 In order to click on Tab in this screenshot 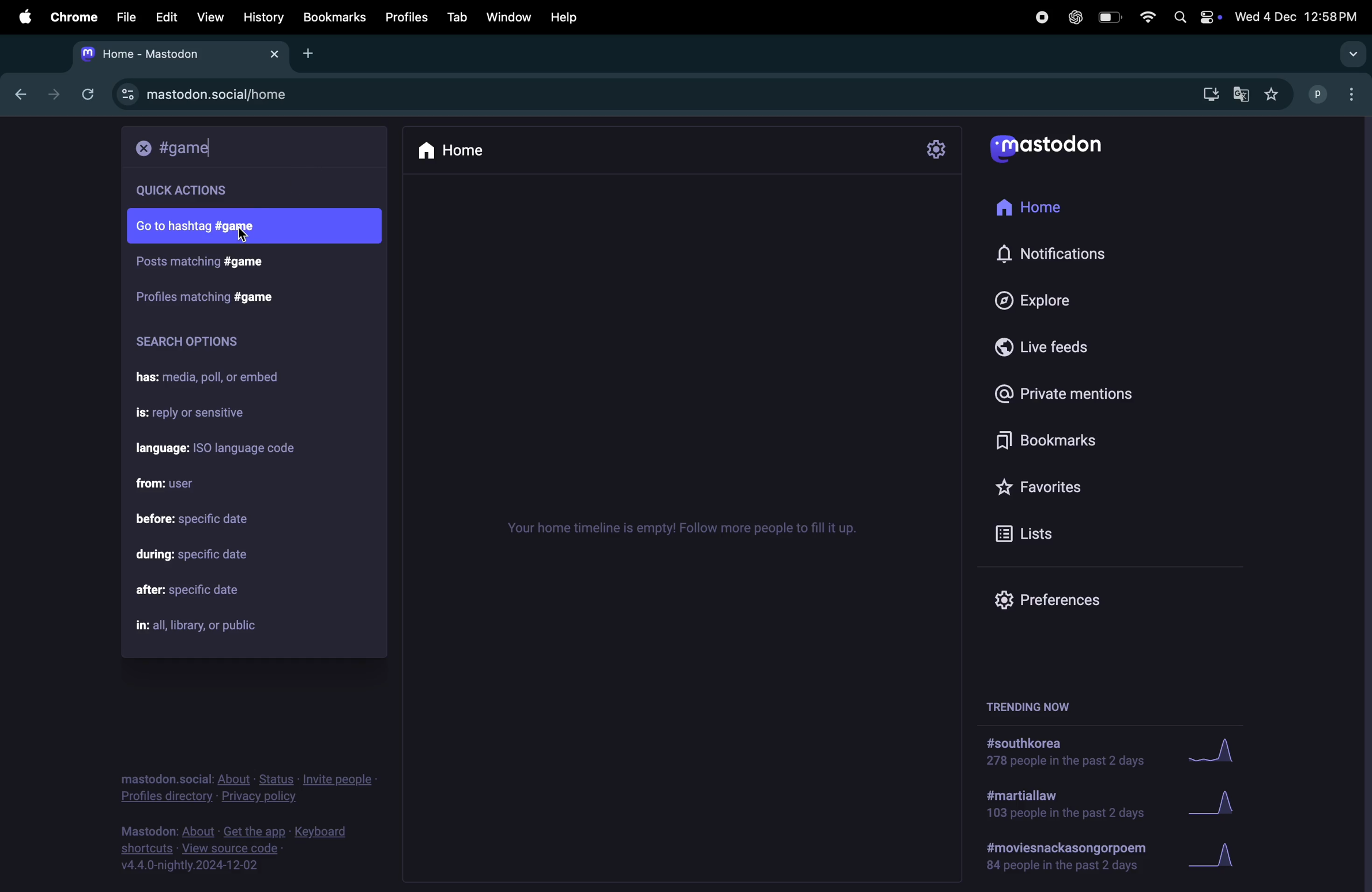, I will do `click(457, 16)`.